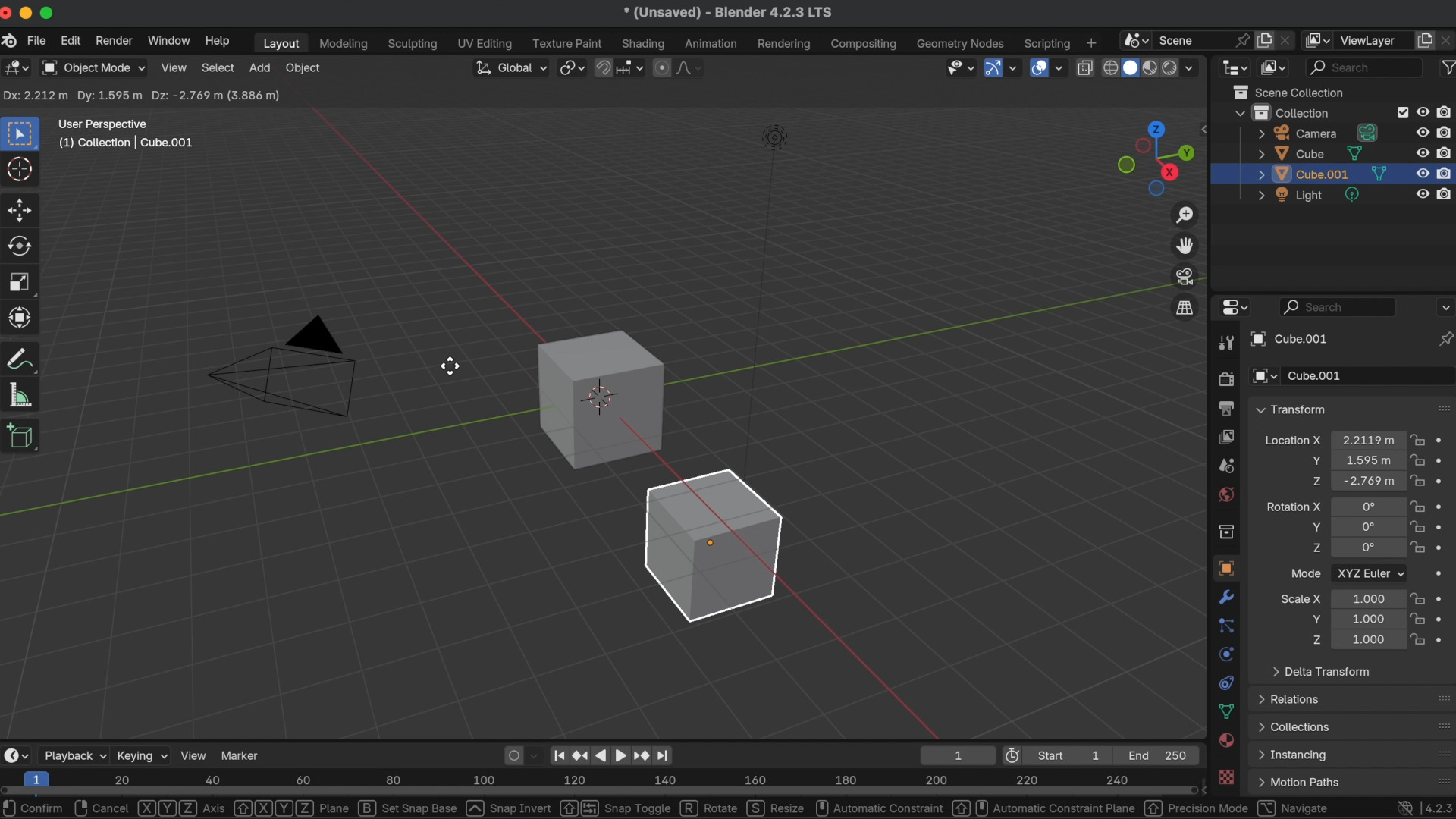  What do you see at coordinates (1445, 506) in the screenshot?
I see `animate property` at bounding box center [1445, 506].